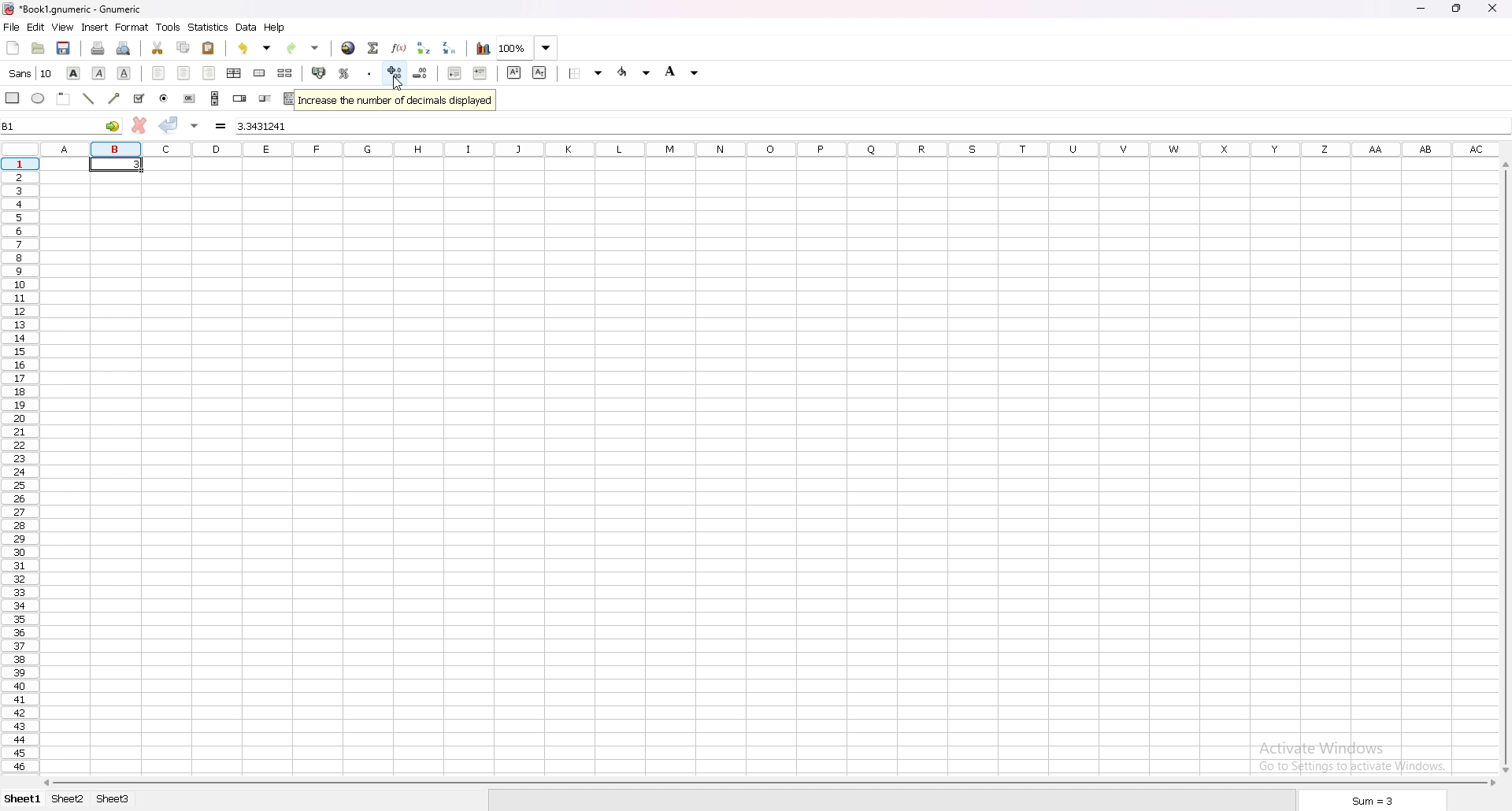 The width and height of the screenshot is (1512, 811). Describe the element at coordinates (682, 73) in the screenshot. I see `background` at that location.